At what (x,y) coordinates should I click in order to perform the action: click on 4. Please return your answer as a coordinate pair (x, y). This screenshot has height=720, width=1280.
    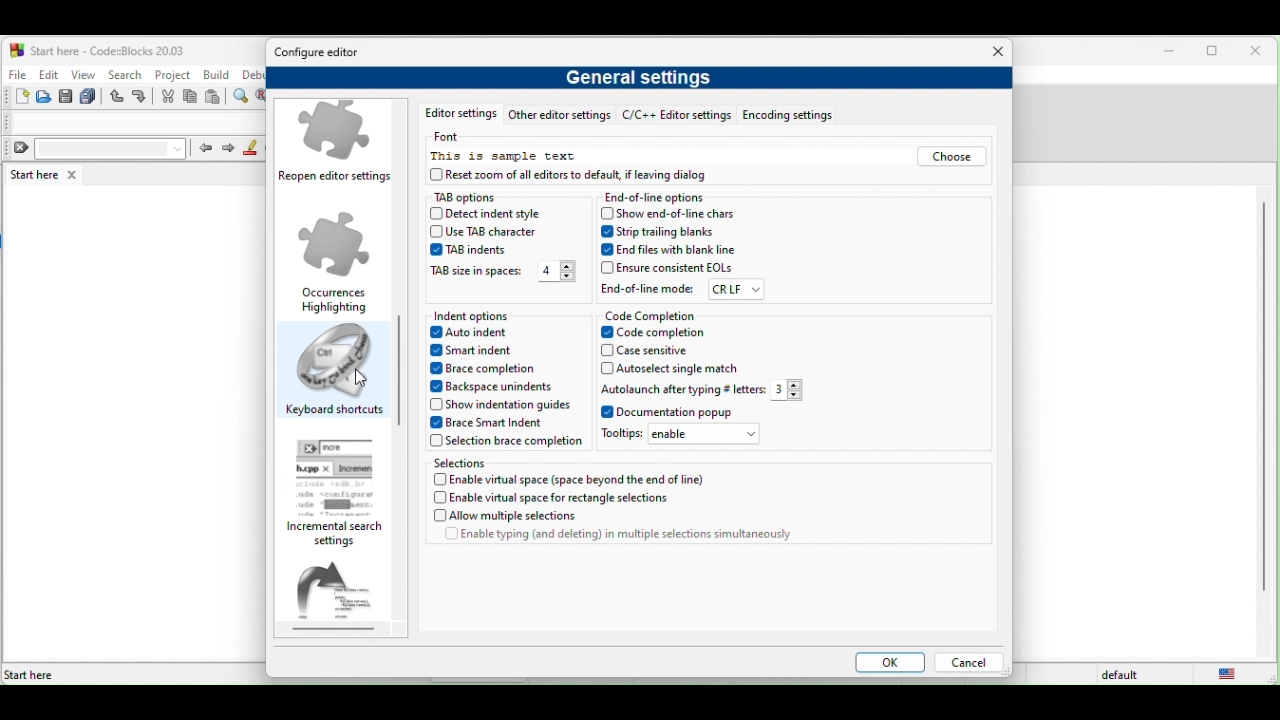
    Looking at the image, I should click on (556, 272).